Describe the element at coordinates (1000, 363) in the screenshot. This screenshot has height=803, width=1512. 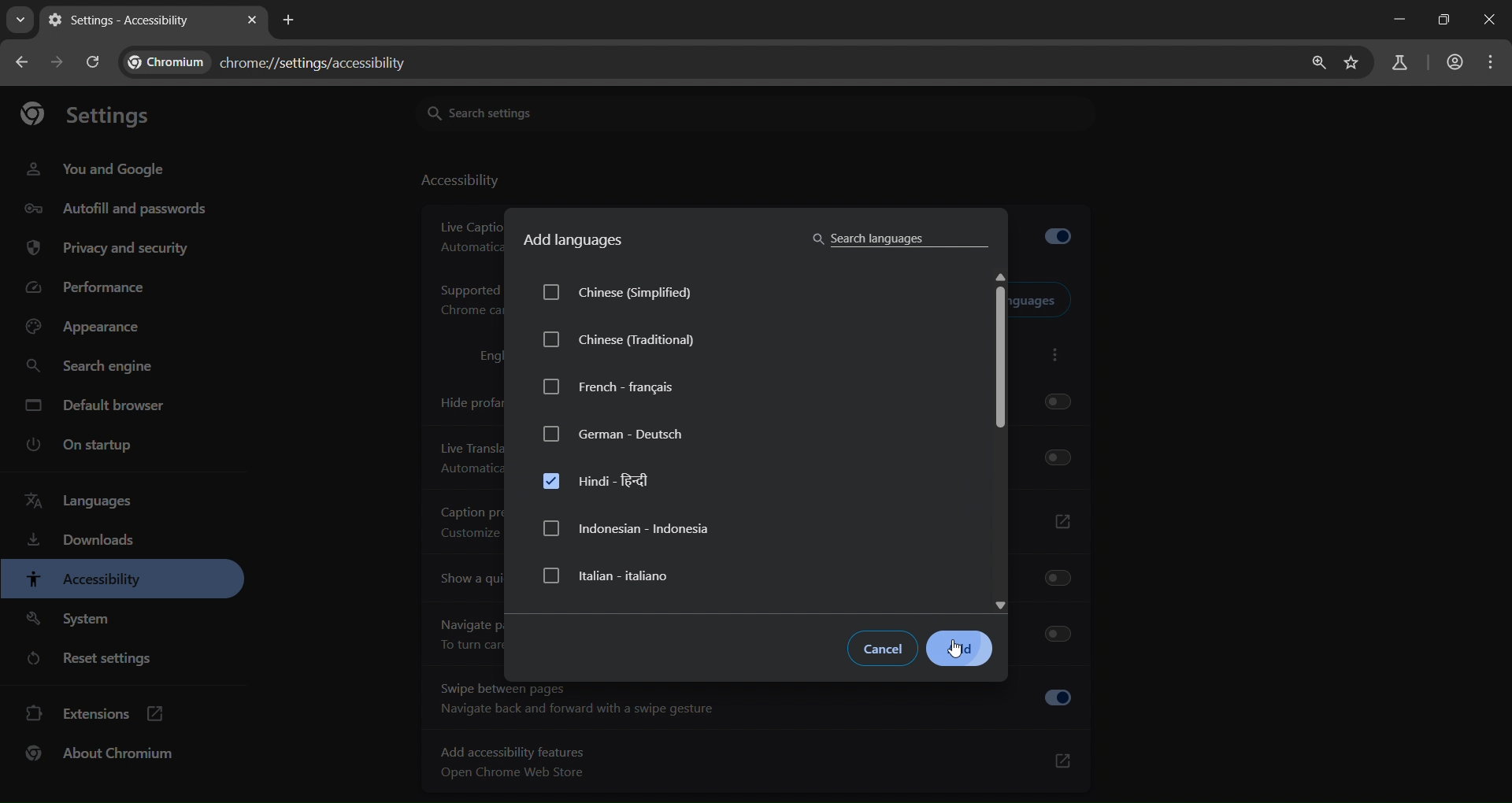
I see `scrollbar` at that location.